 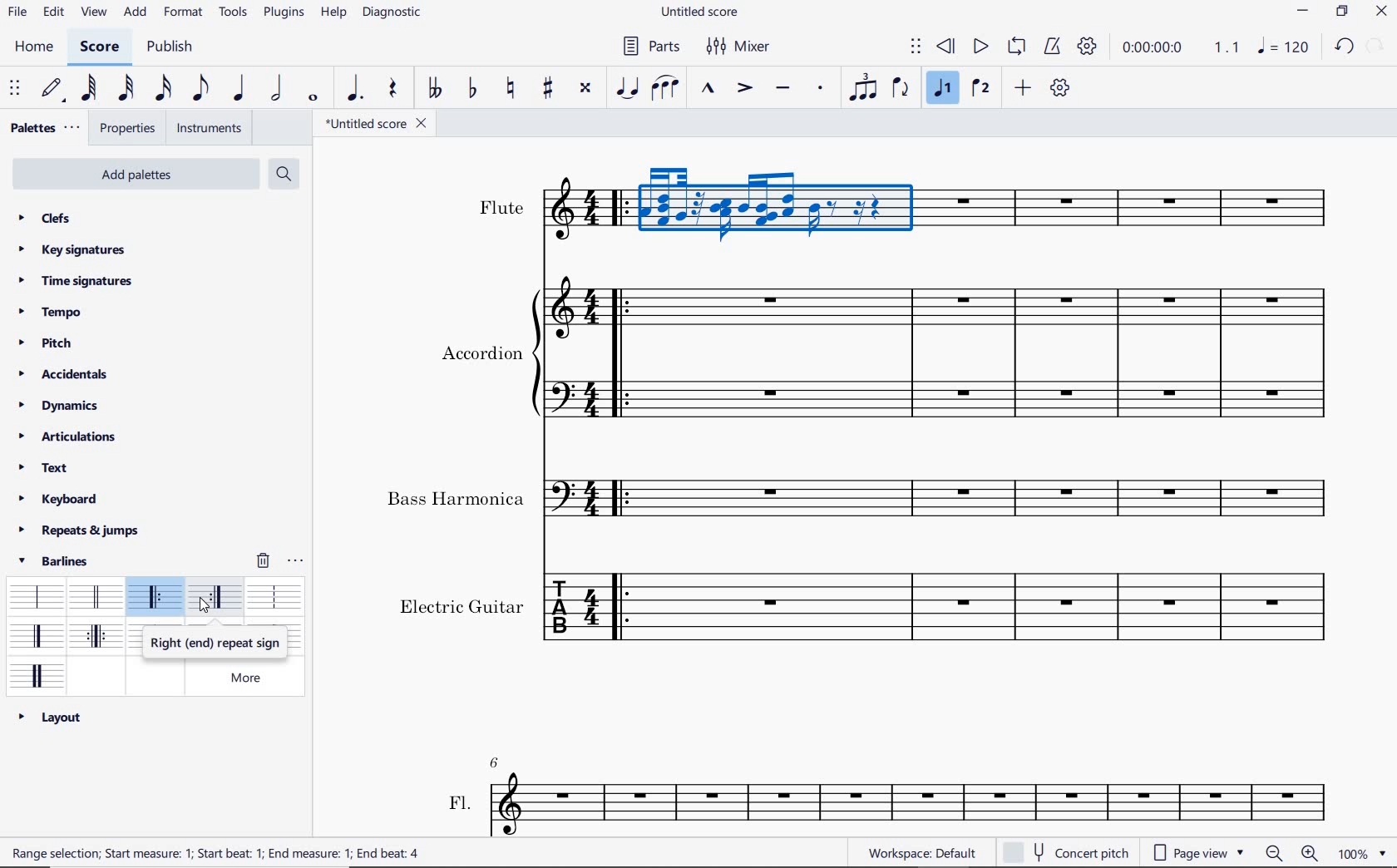 I want to click on MINIMIZE, so click(x=1303, y=10).